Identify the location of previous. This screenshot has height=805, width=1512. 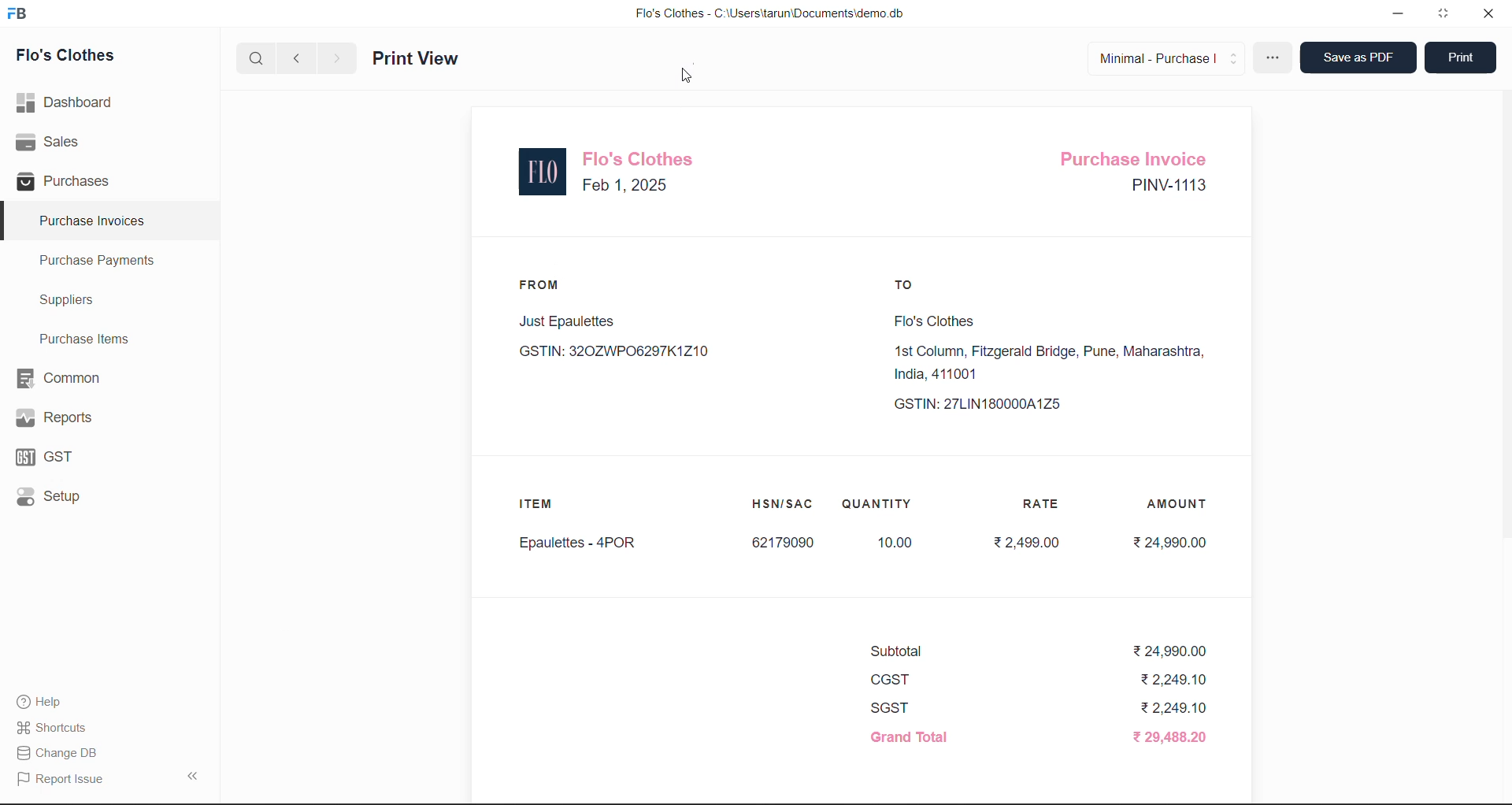
(300, 57).